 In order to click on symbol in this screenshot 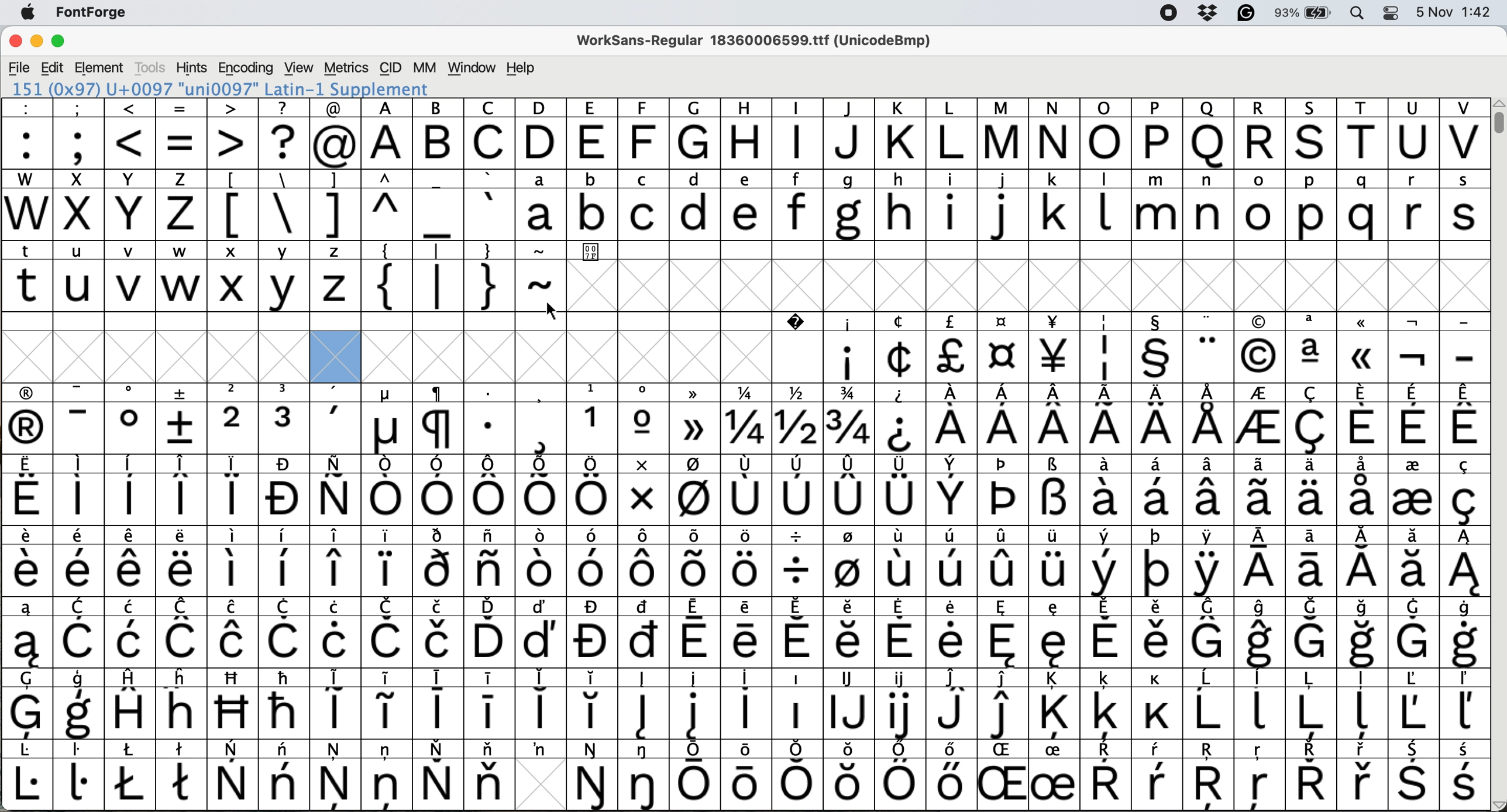, I will do `click(1463, 490)`.